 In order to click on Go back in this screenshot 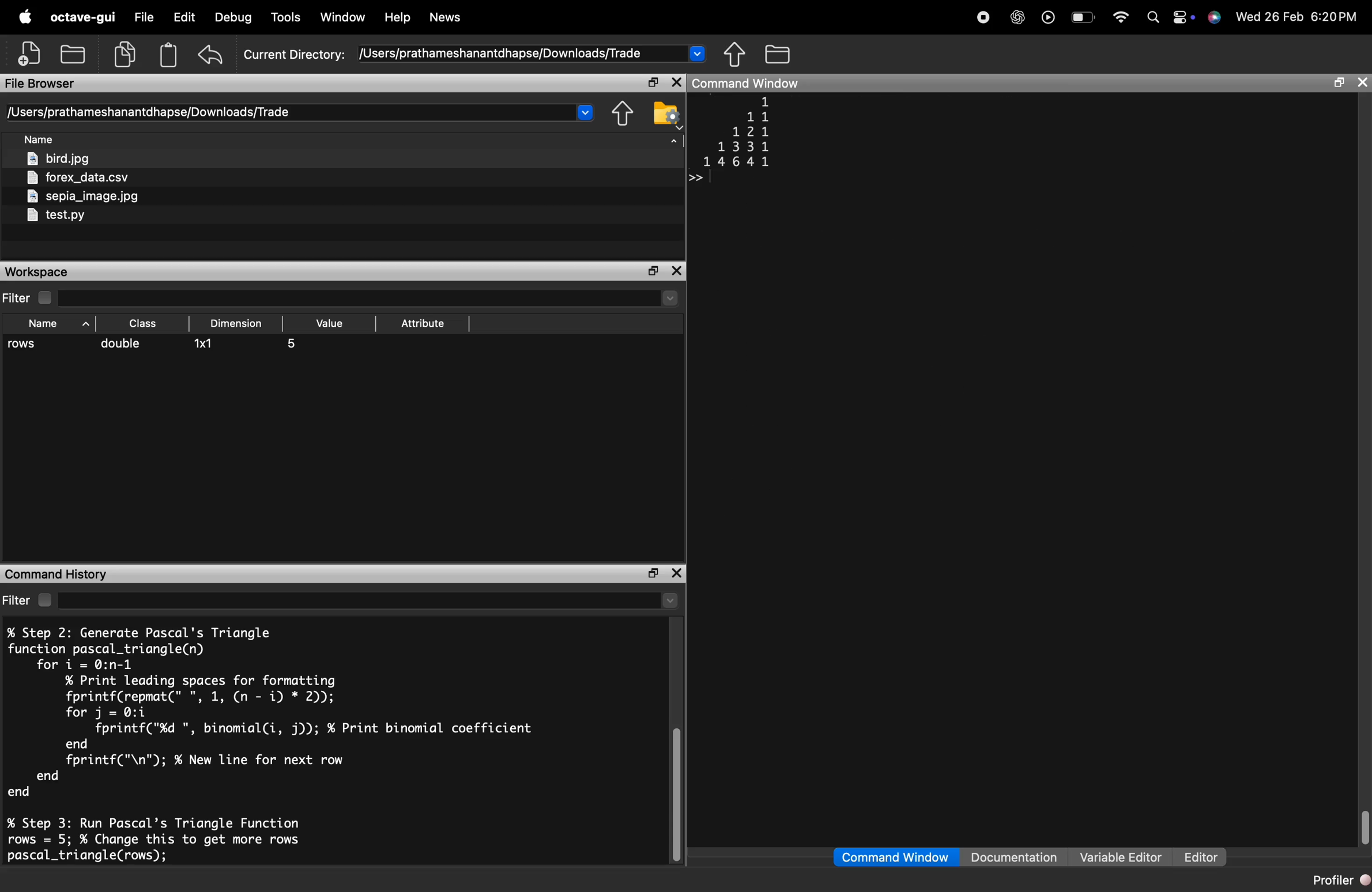, I will do `click(735, 54)`.